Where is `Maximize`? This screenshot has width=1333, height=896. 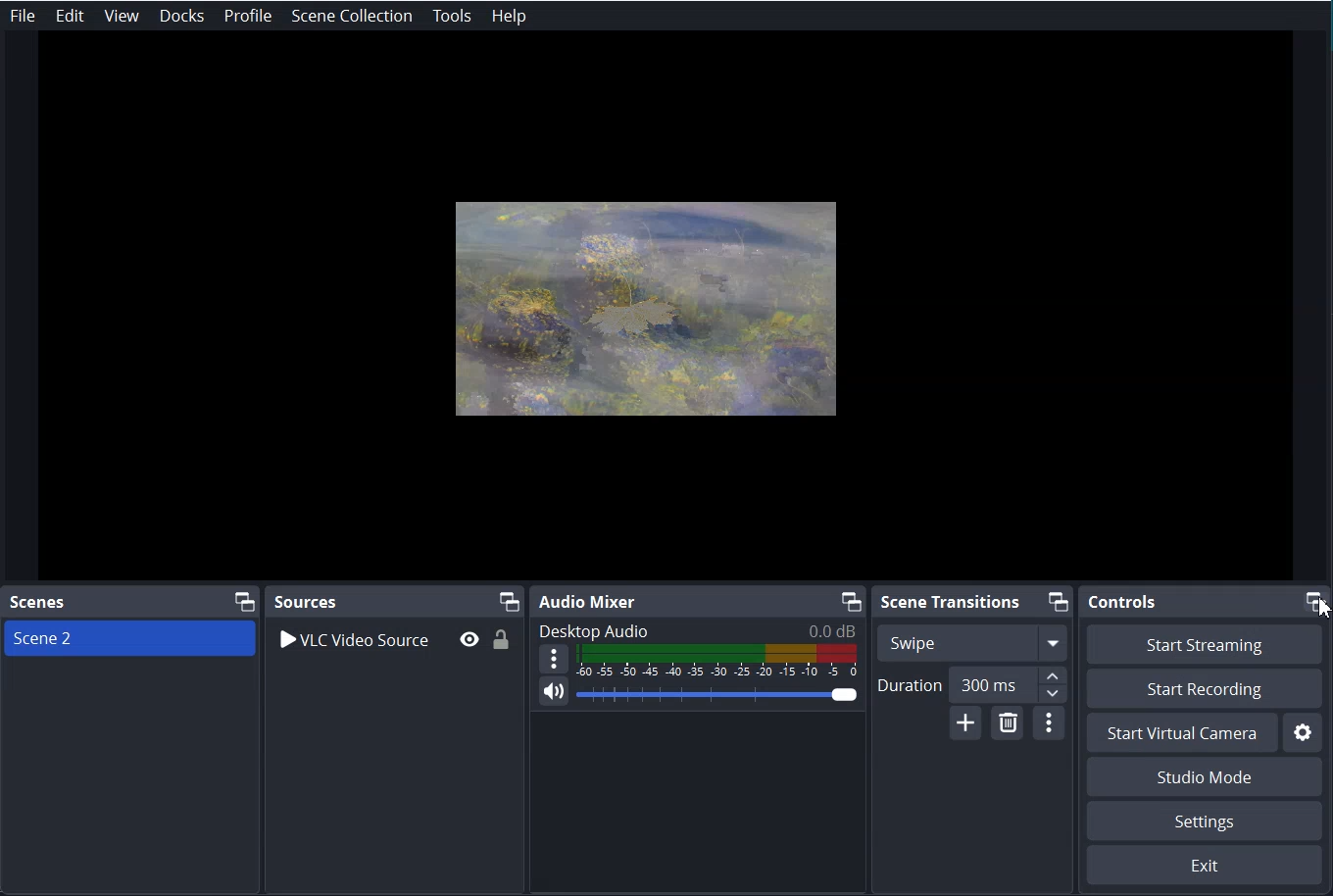 Maximize is located at coordinates (1315, 602).